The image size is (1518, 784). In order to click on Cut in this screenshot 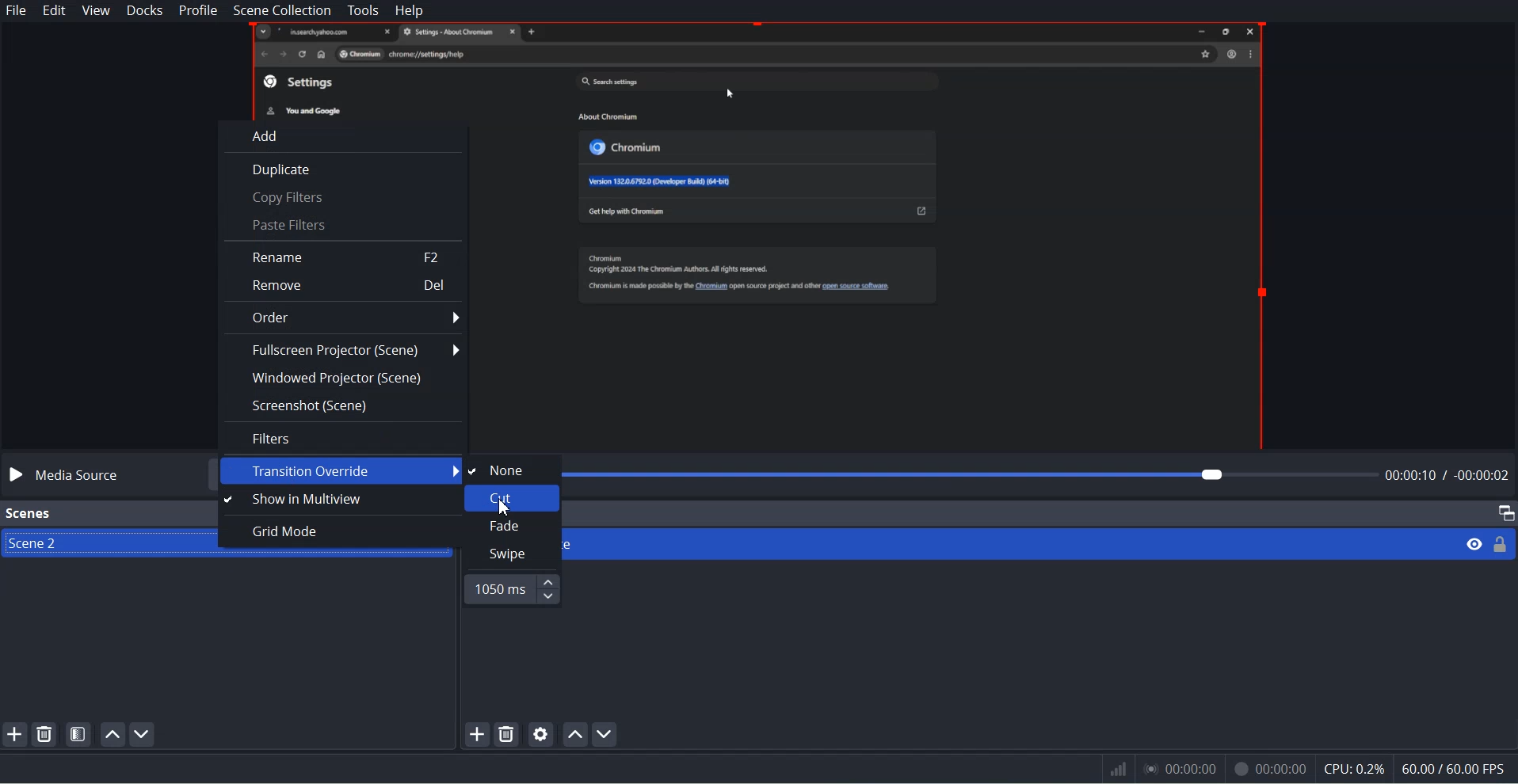, I will do `click(513, 497)`.